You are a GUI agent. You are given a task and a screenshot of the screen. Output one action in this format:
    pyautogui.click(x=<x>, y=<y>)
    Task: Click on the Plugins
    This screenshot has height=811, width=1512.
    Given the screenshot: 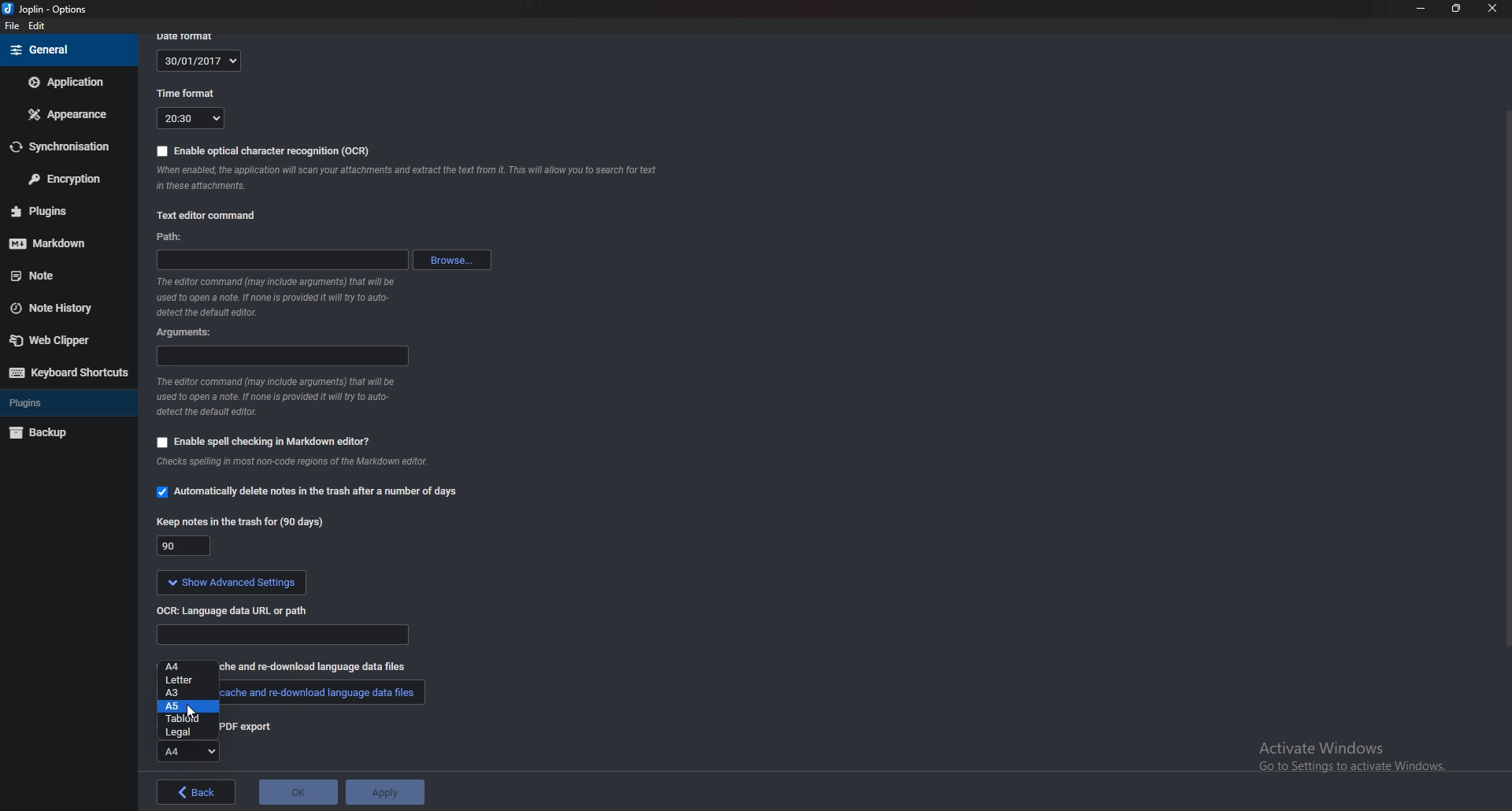 What is the action you would take?
    pyautogui.click(x=59, y=211)
    